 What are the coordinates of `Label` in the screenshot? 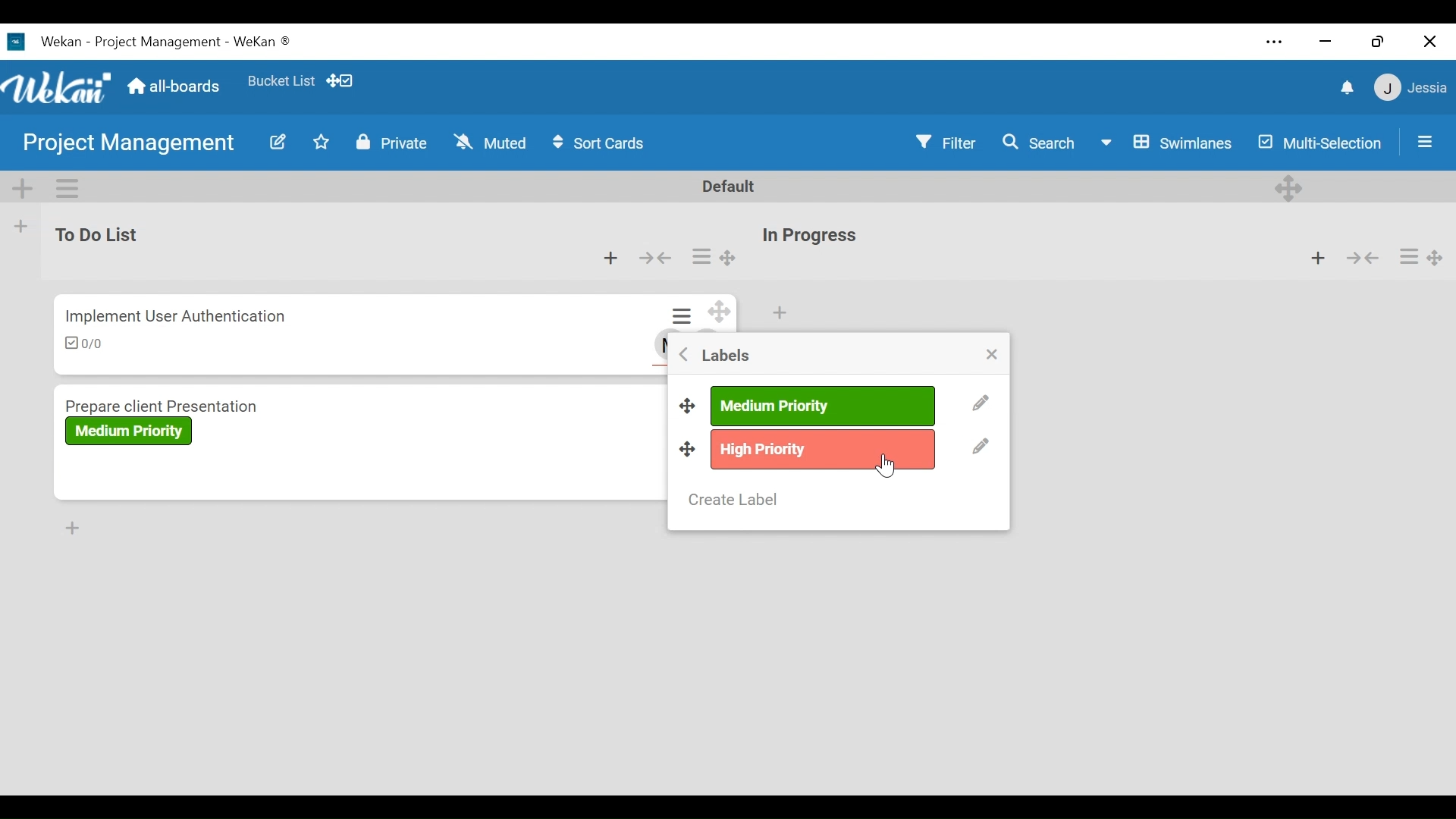 It's located at (824, 450).